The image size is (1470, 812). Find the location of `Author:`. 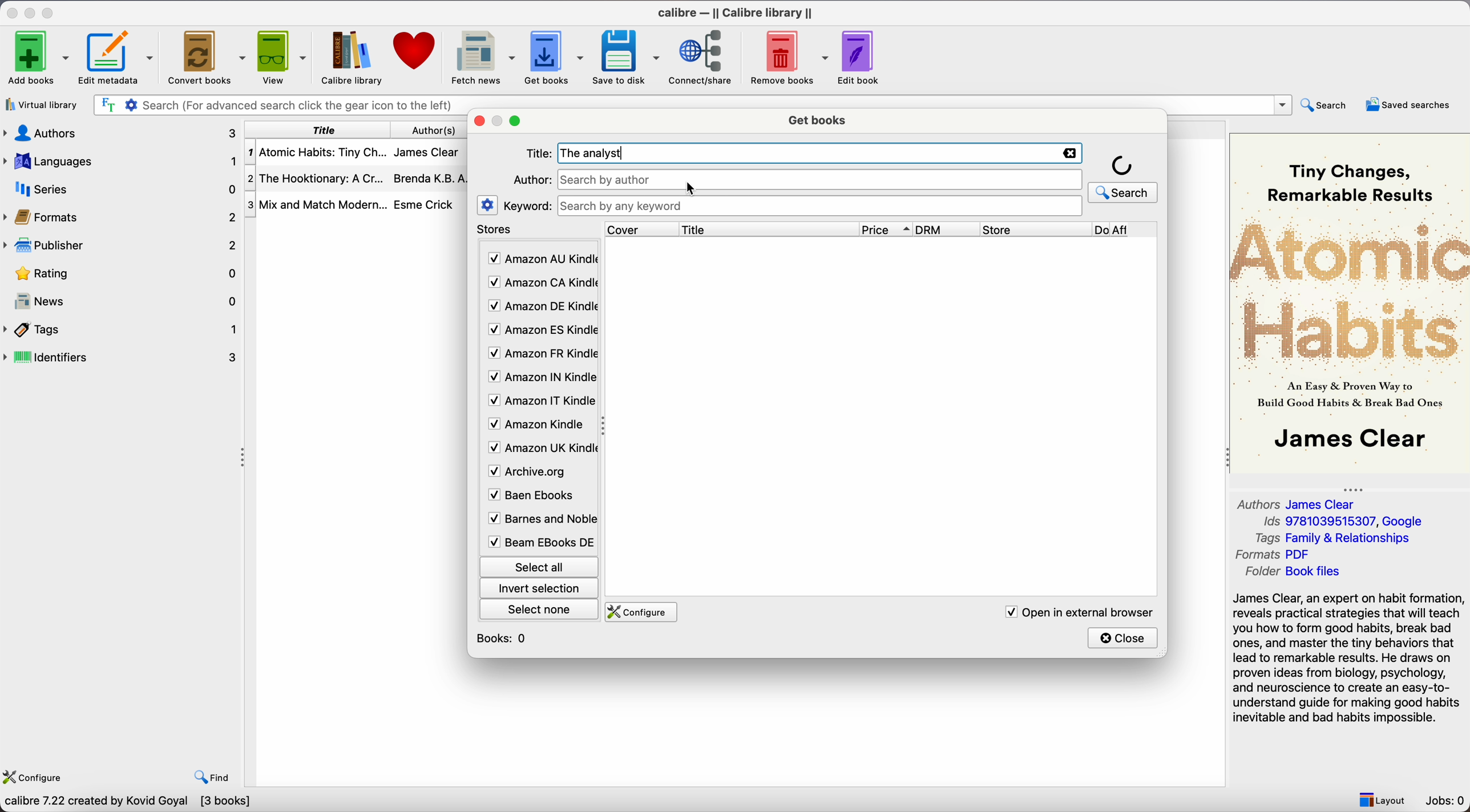

Author: is located at coordinates (532, 180).